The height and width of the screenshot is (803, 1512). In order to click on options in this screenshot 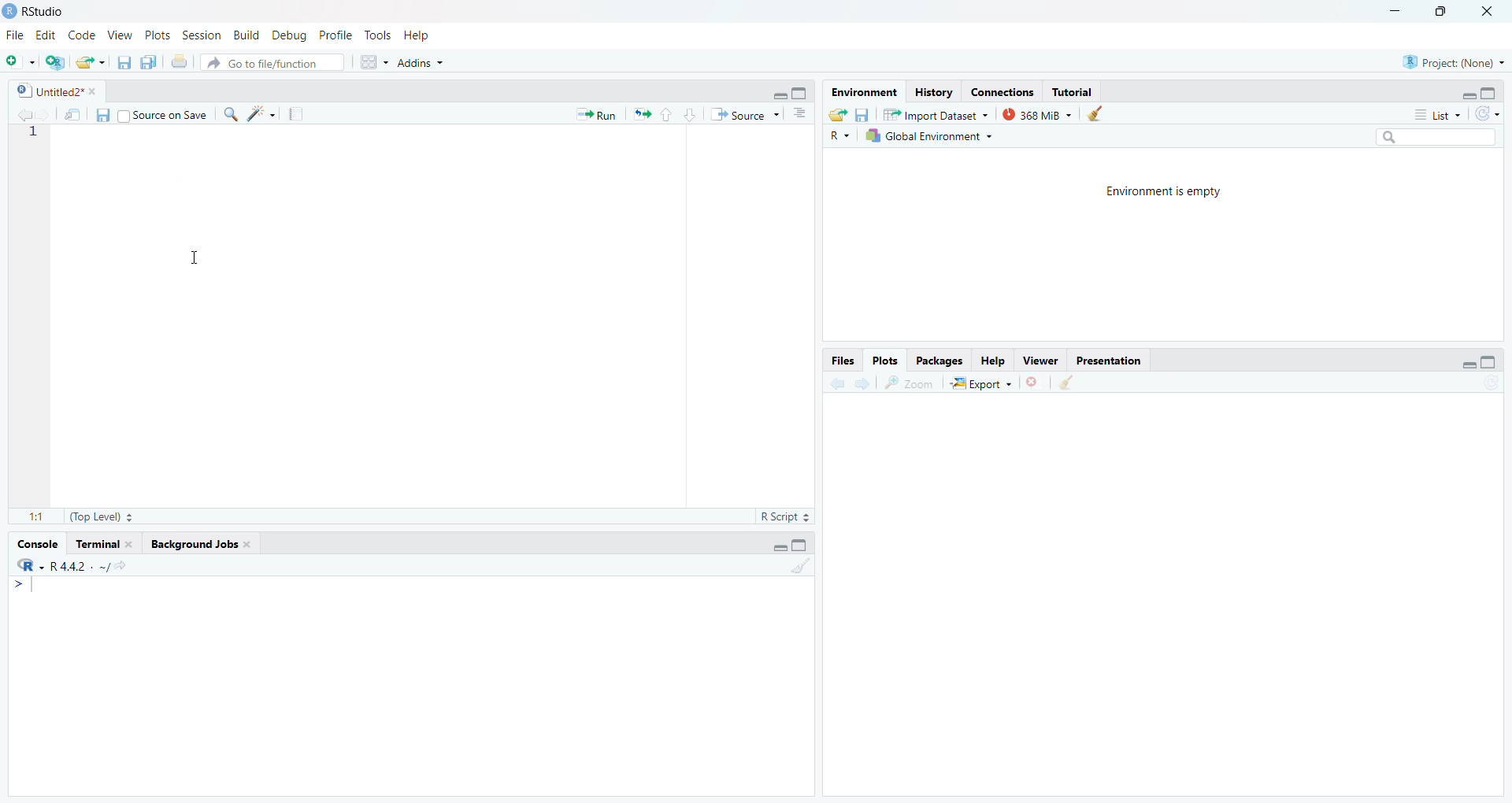, I will do `click(799, 115)`.